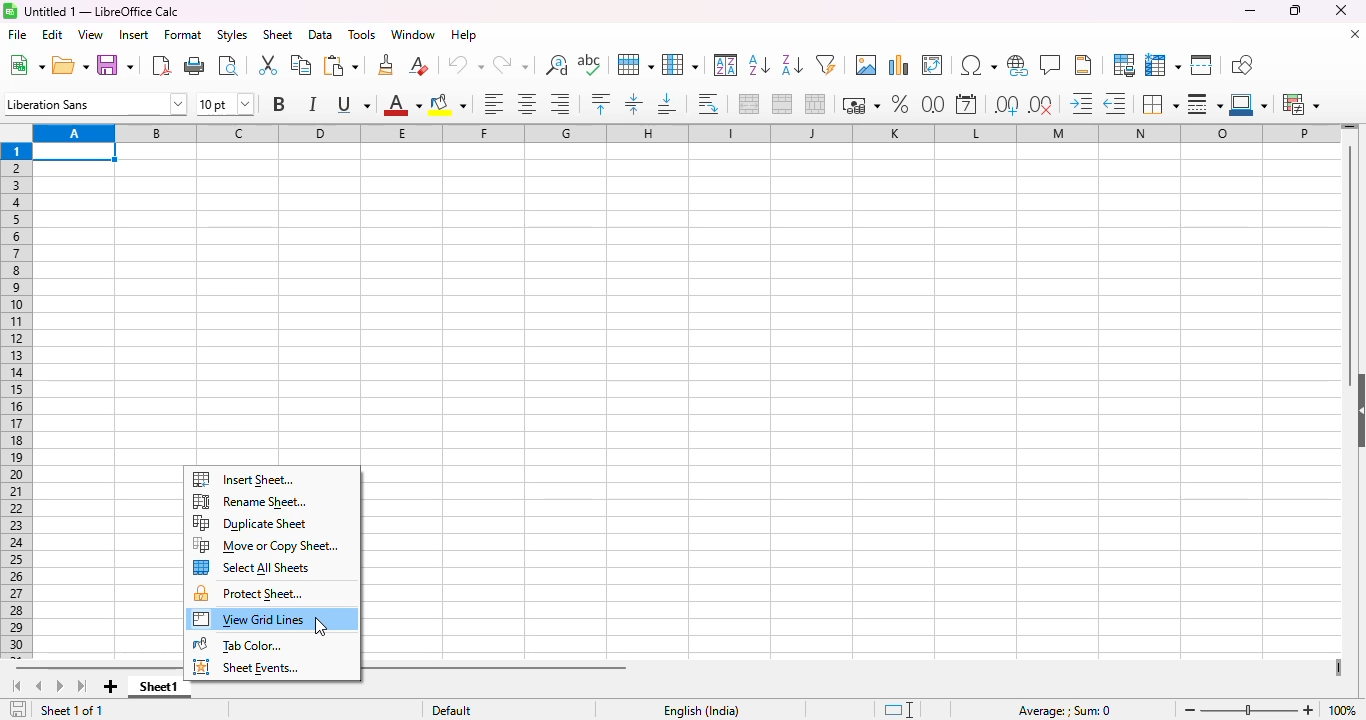  Describe the element at coordinates (278, 34) in the screenshot. I see `sheet` at that location.